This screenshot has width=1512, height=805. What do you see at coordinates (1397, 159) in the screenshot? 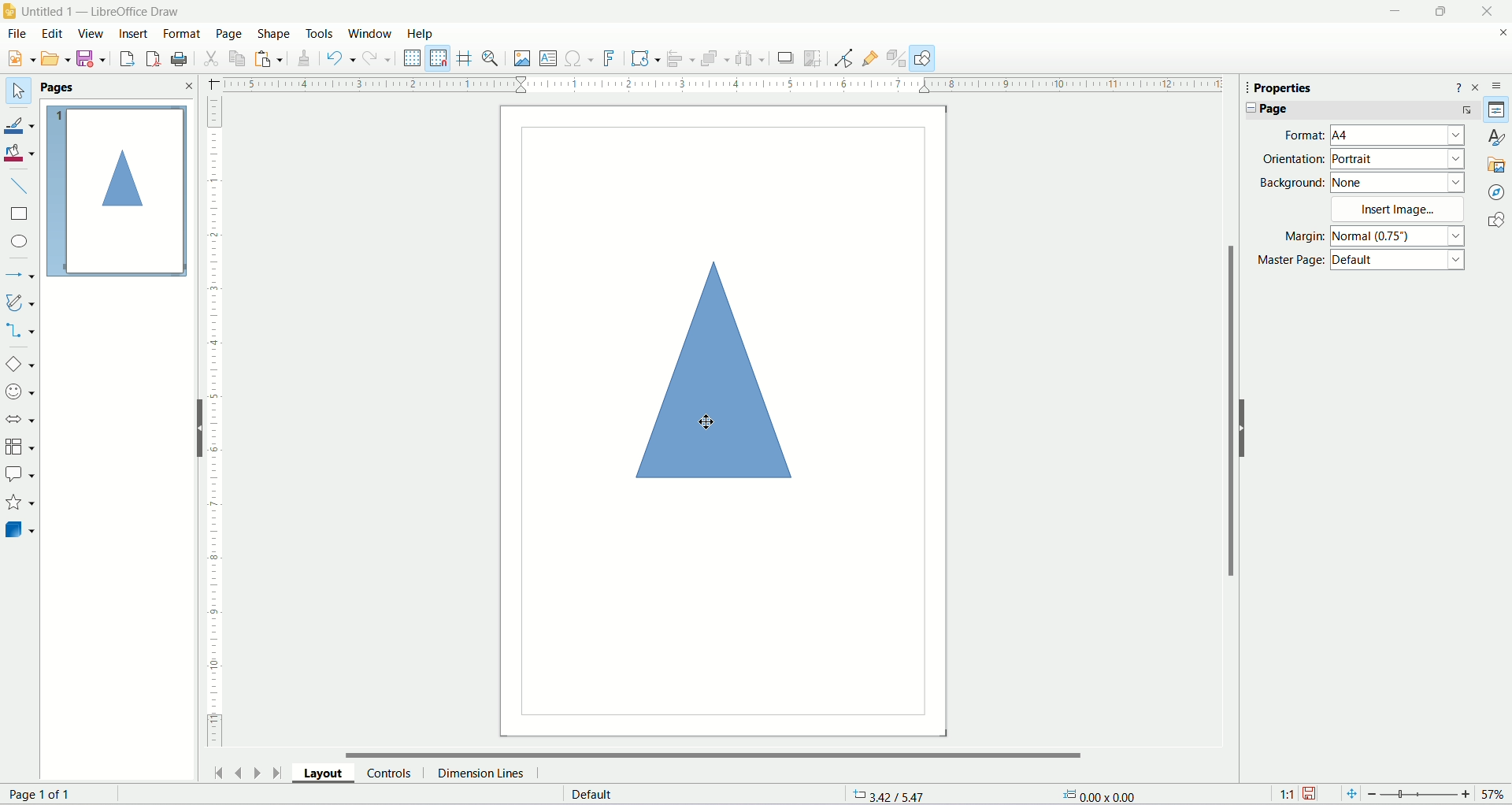
I see `Portraint` at bounding box center [1397, 159].